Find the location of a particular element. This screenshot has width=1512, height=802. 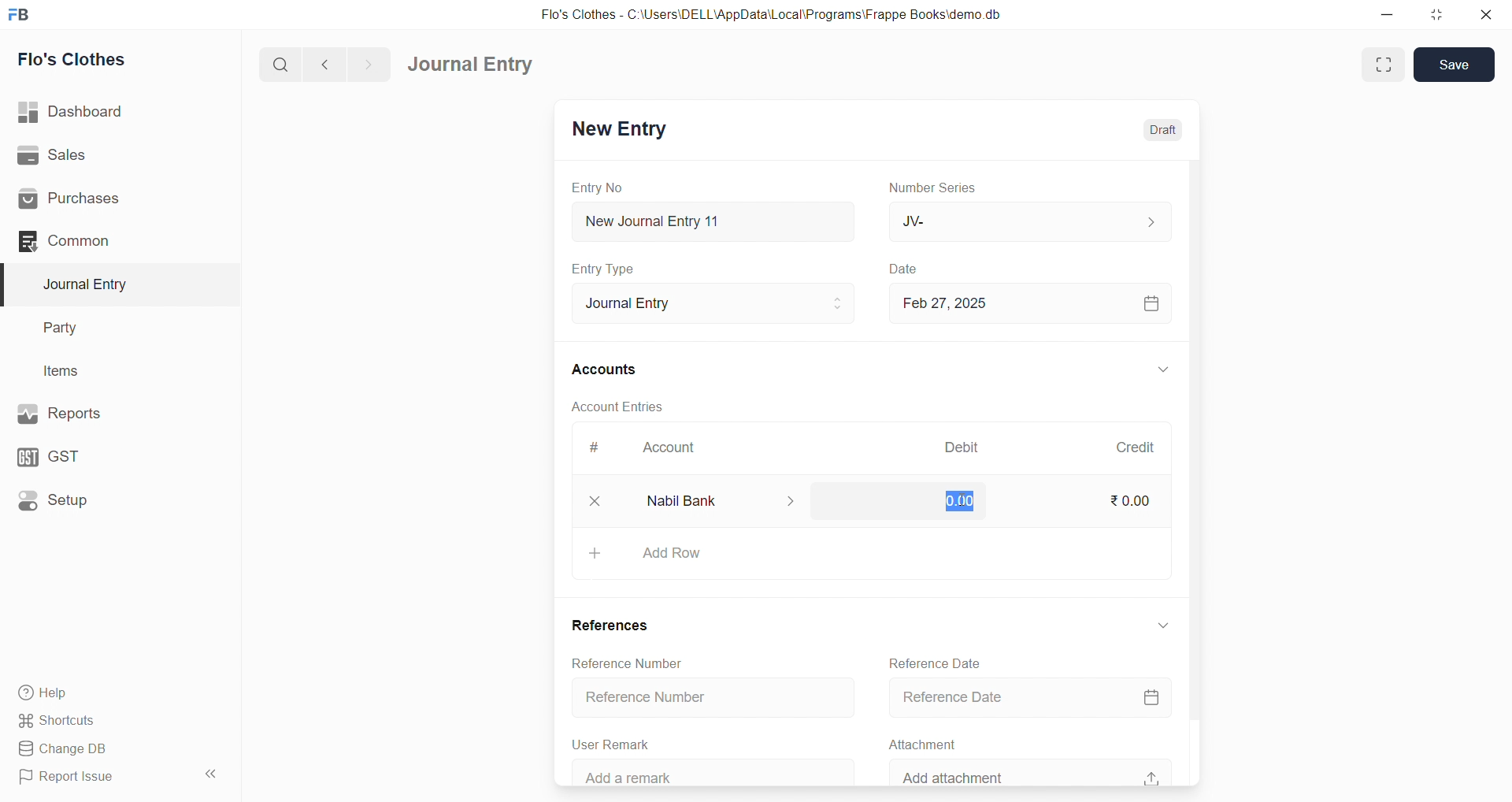

collapse sidebar is located at coordinates (213, 774).